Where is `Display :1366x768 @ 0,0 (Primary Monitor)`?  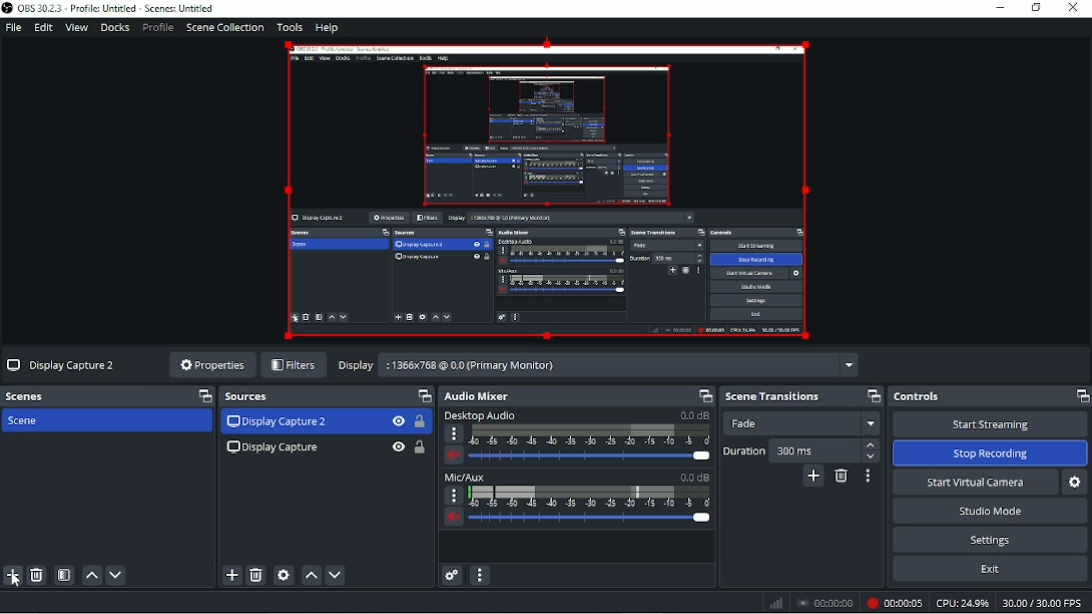
Display :1366x768 @ 0,0 (Primary Monitor) is located at coordinates (597, 363).